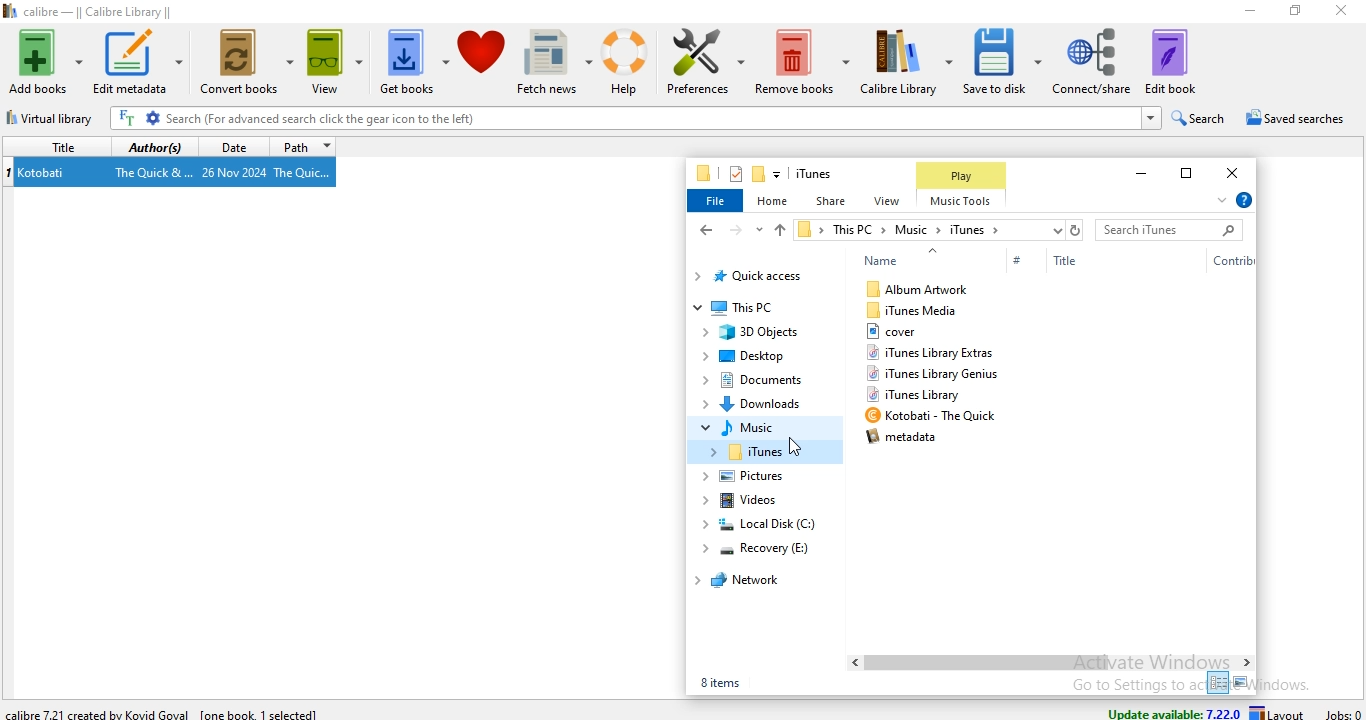 Image resolution: width=1366 pixels, height=720 pixels. Describe the element at coordinates (481, 61) in the screenshot. I see `donate to calibre` at that location.